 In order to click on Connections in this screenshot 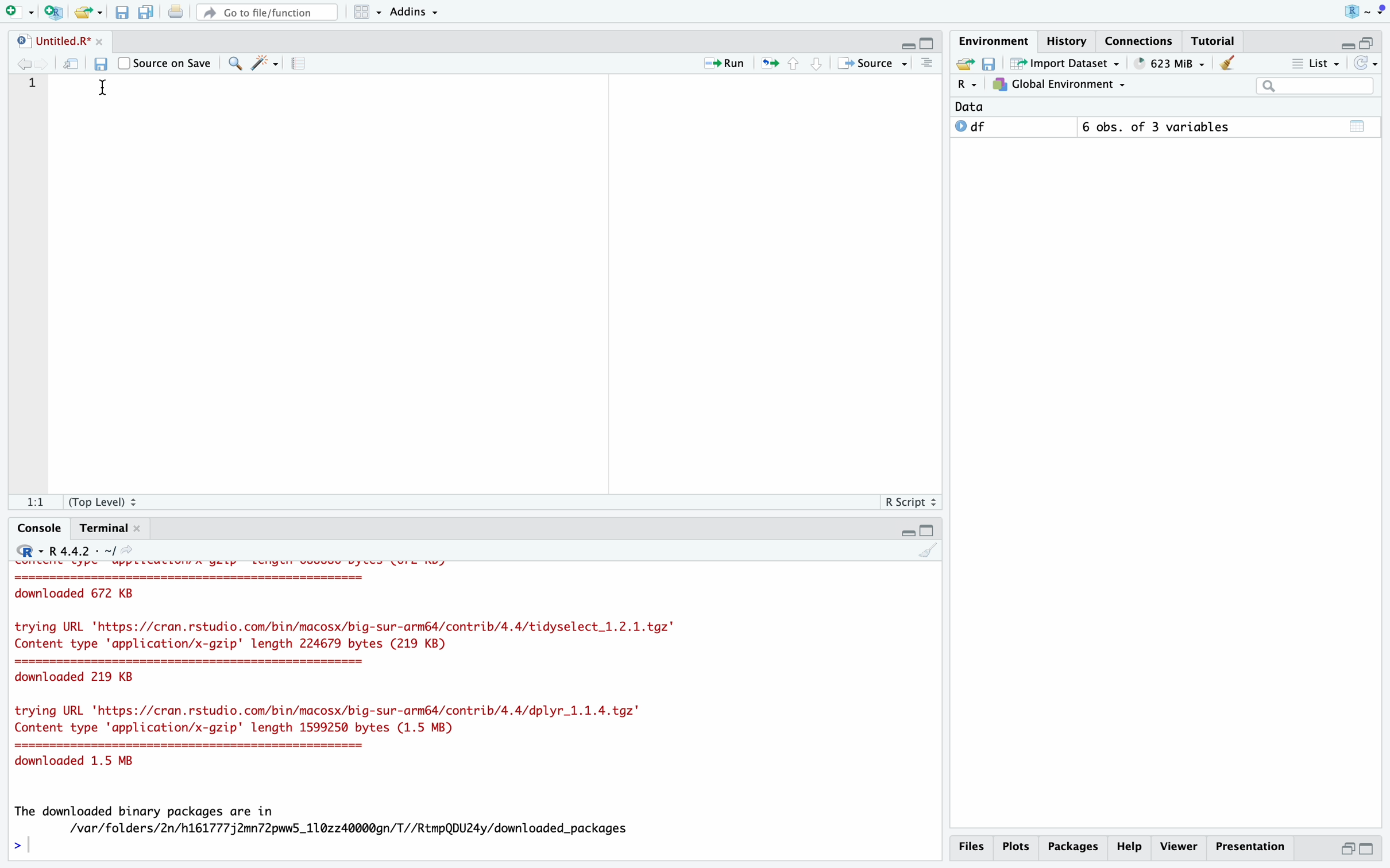, I will do `click(1139, 41)`.